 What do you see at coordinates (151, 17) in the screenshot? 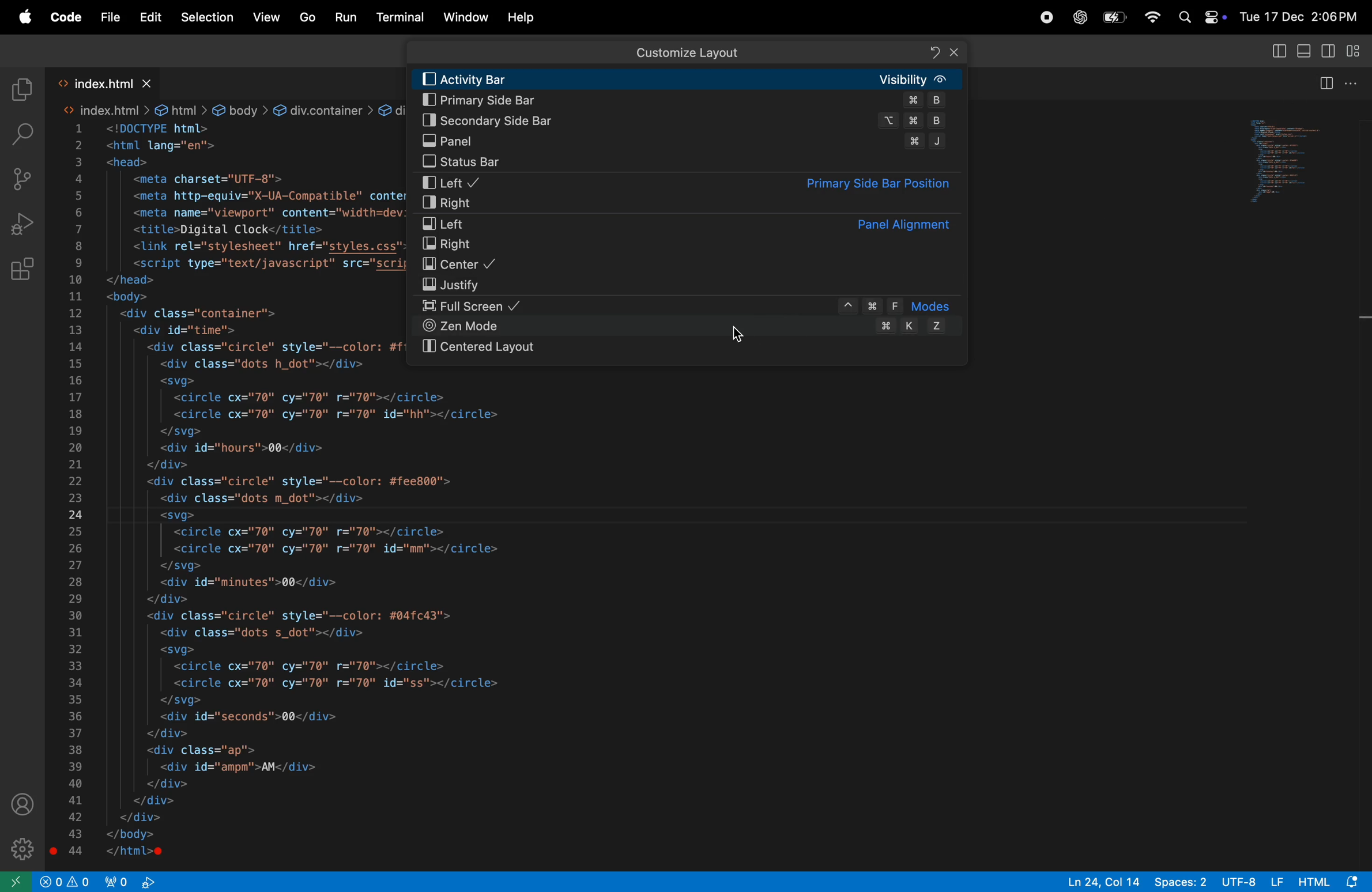
I see `edit` at bounding box center [151, 17].